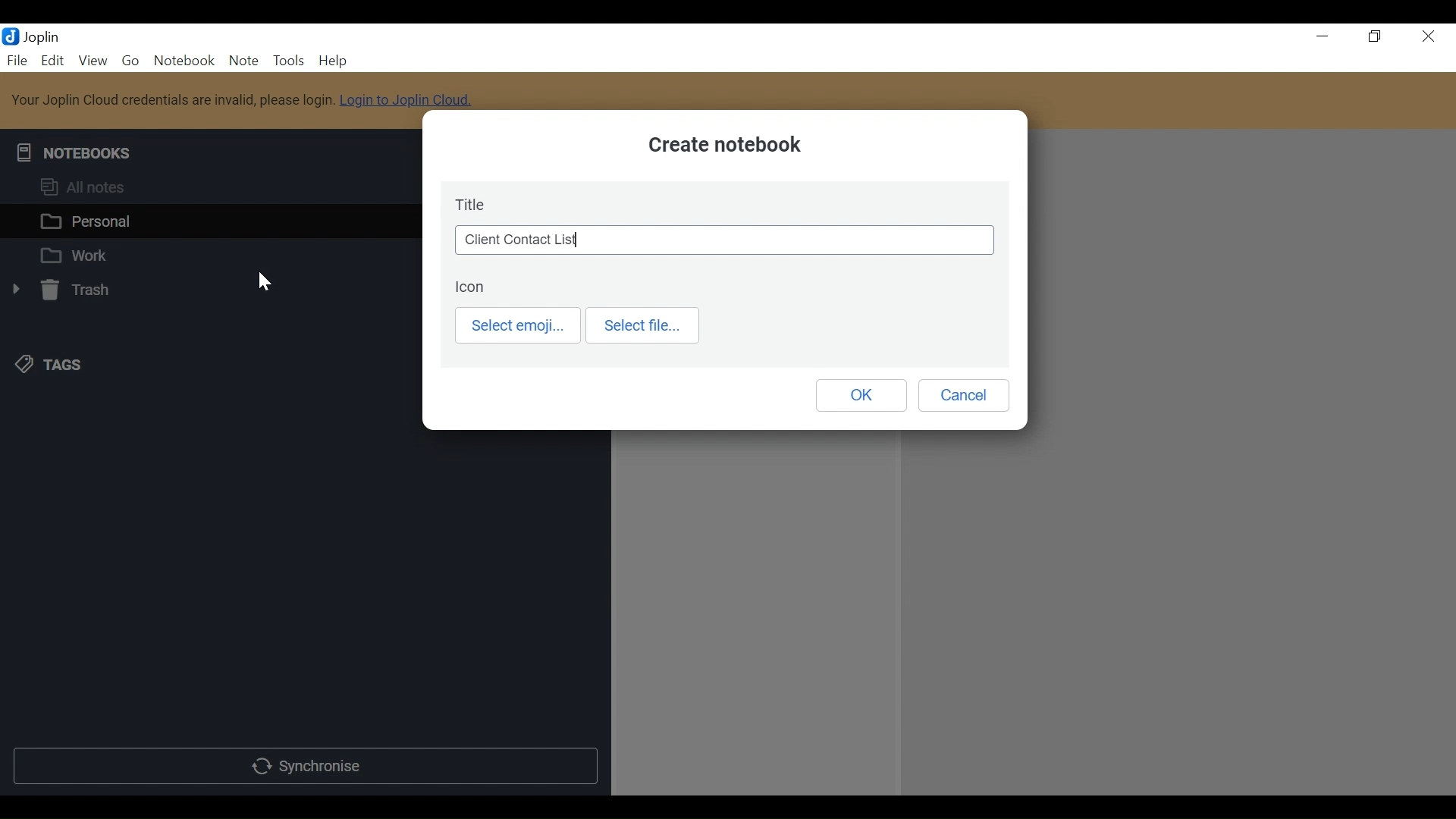 This screenshot has width=1456, height=819. Describe the element at coordinates (214, 221) in the screenshot. I see `Personal` at that location.